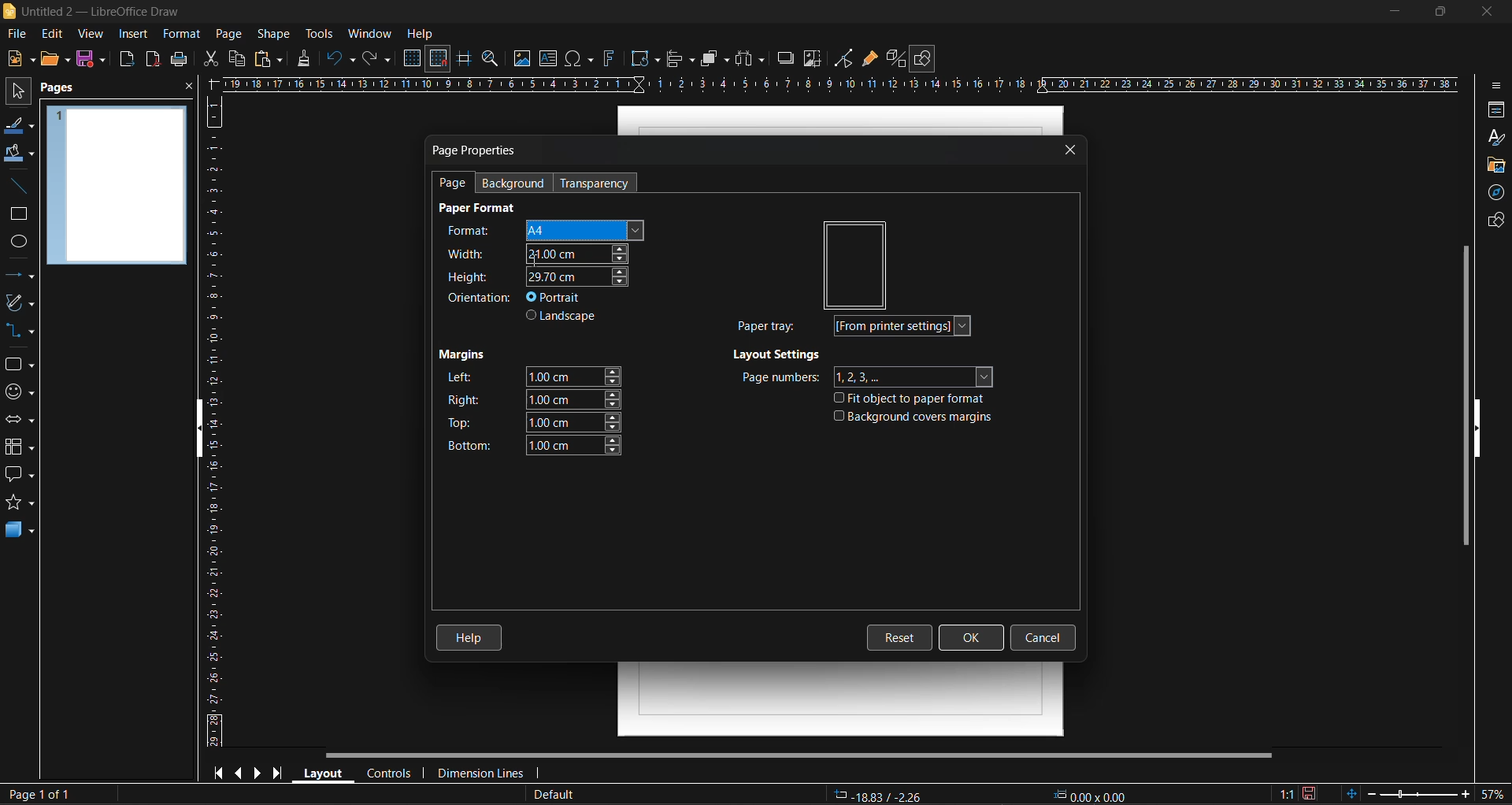  I want to click on lines and arrows, so click(20, 276).